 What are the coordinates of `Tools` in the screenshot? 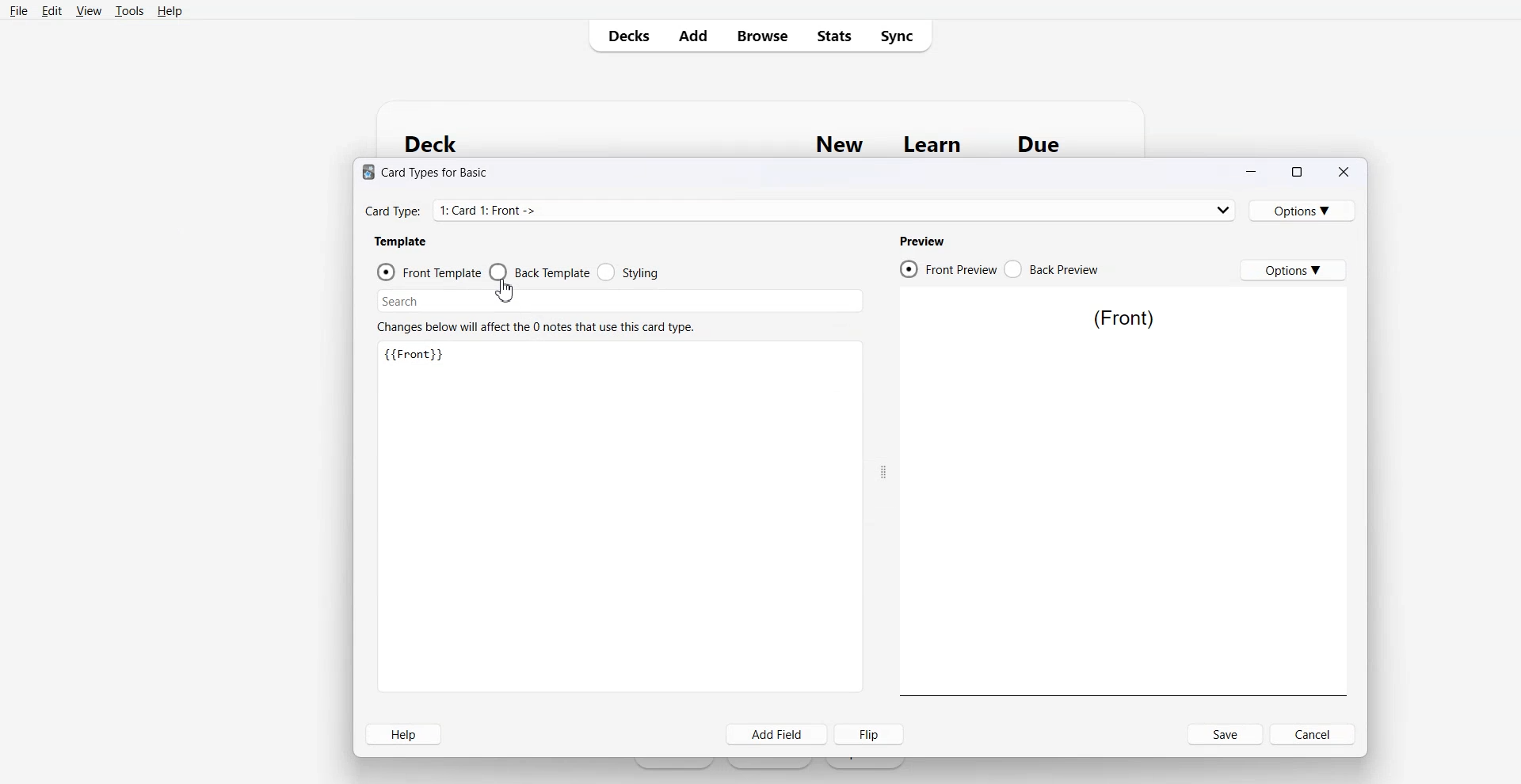 It's located at (129, 10).